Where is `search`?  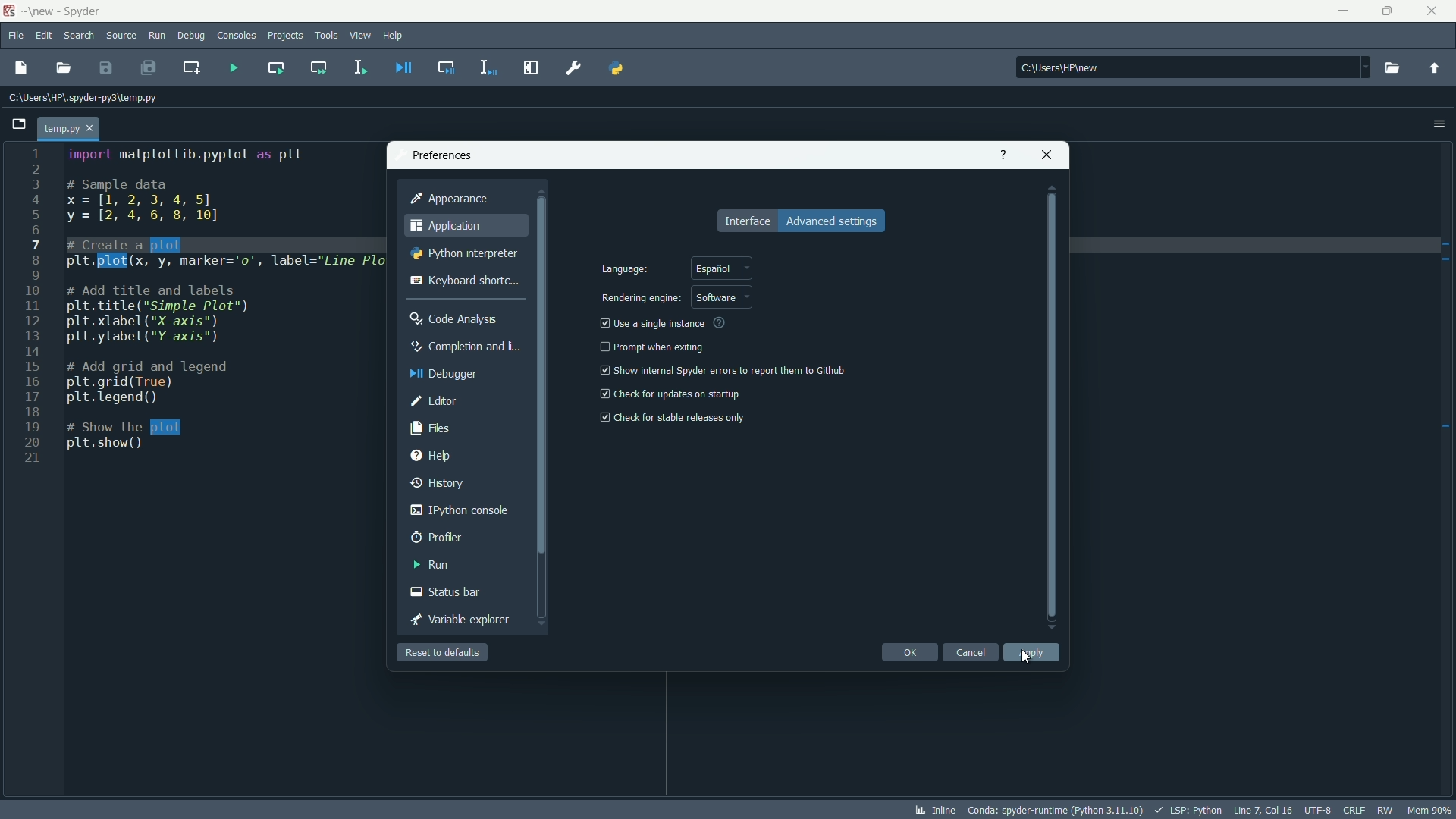
search is located at coordinates (80, 36).